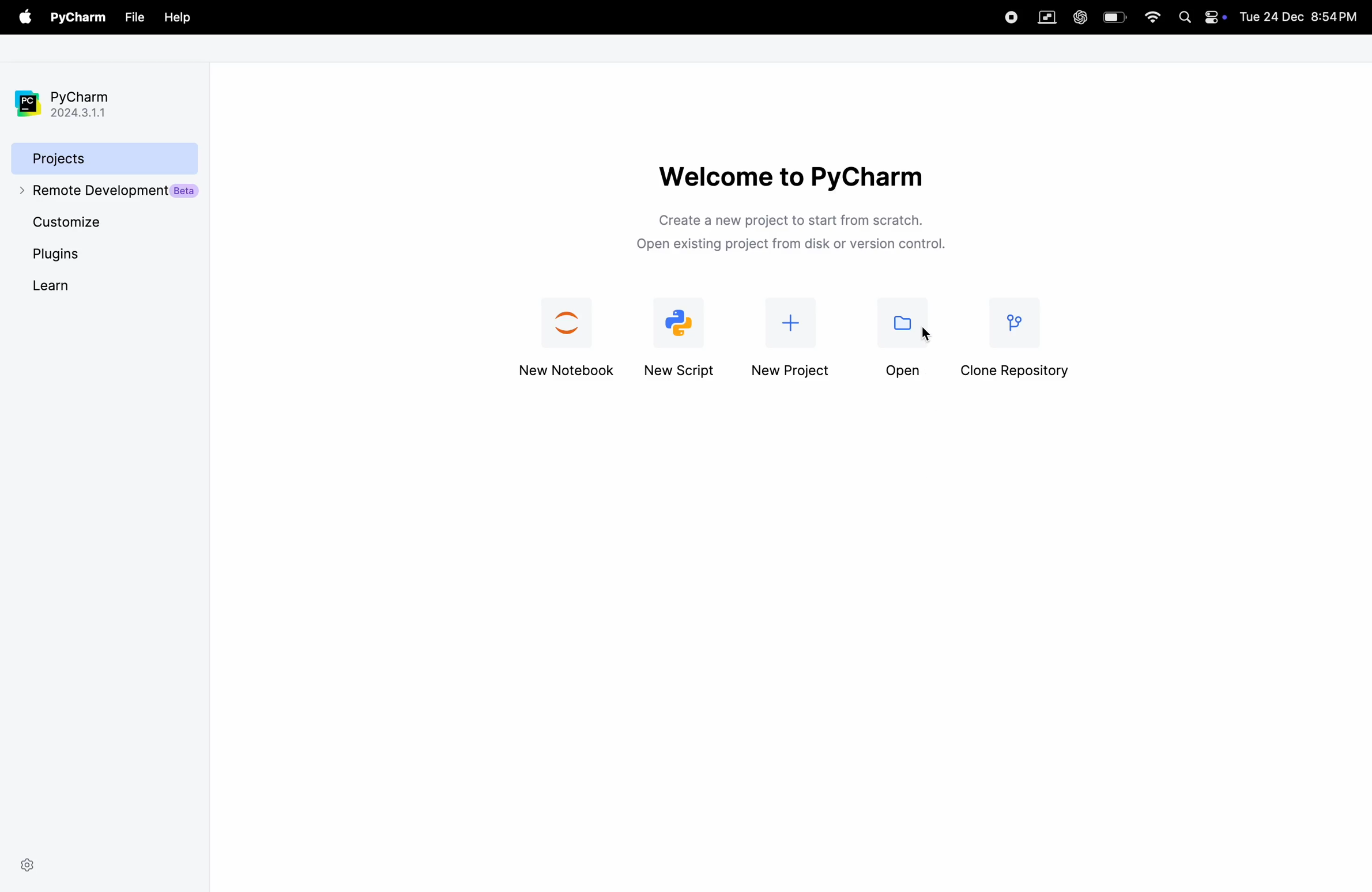 Image resolution: width=1372 pixels, height=892 pixels. What do you see at coordinates (902, 338) in the screenshot?
I see `open` at bounding box center [902, 338].